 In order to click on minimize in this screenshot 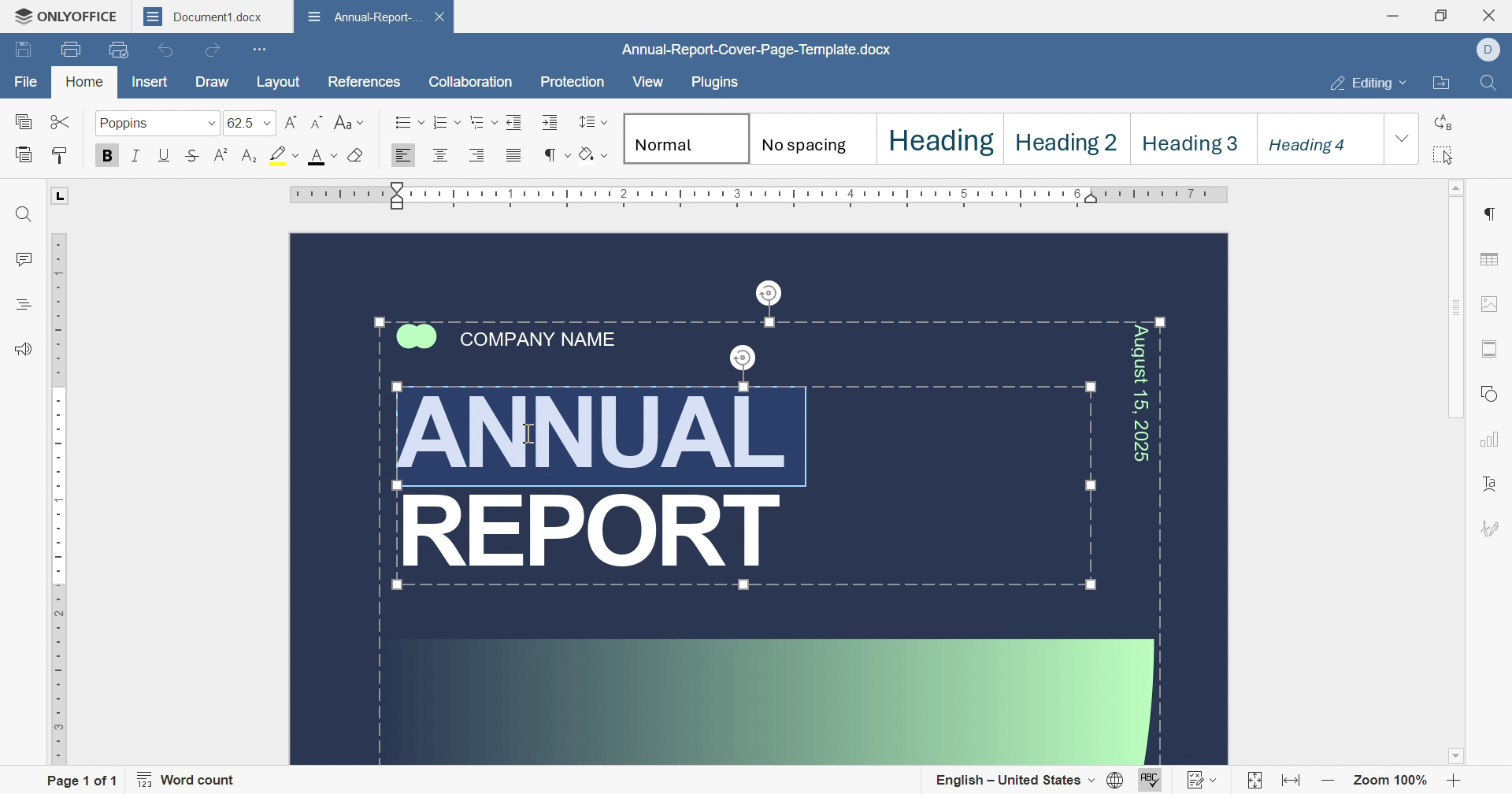, I will do `click(1398, 13)`.